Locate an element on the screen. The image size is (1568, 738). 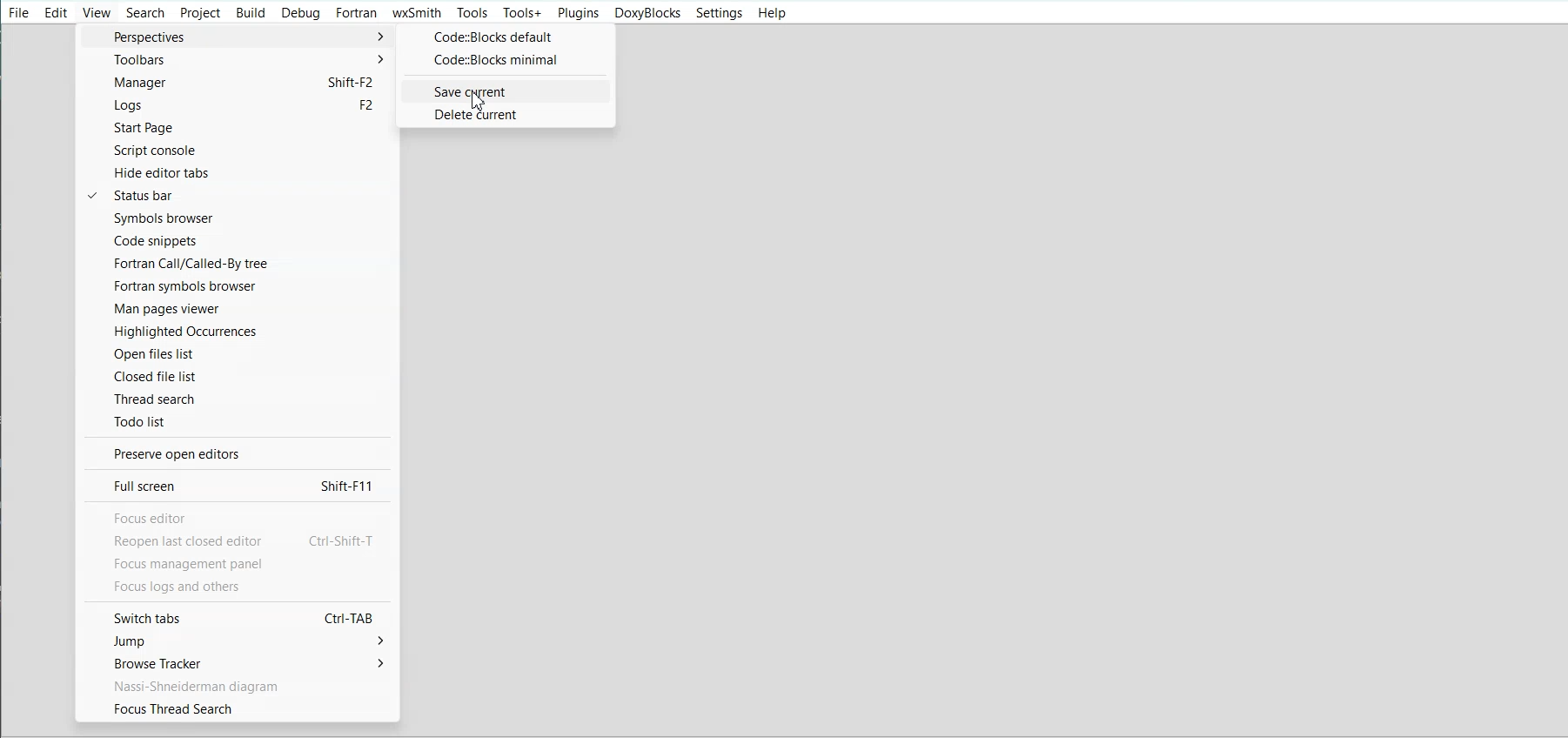
Open files list is located at coordinates (237, 353).